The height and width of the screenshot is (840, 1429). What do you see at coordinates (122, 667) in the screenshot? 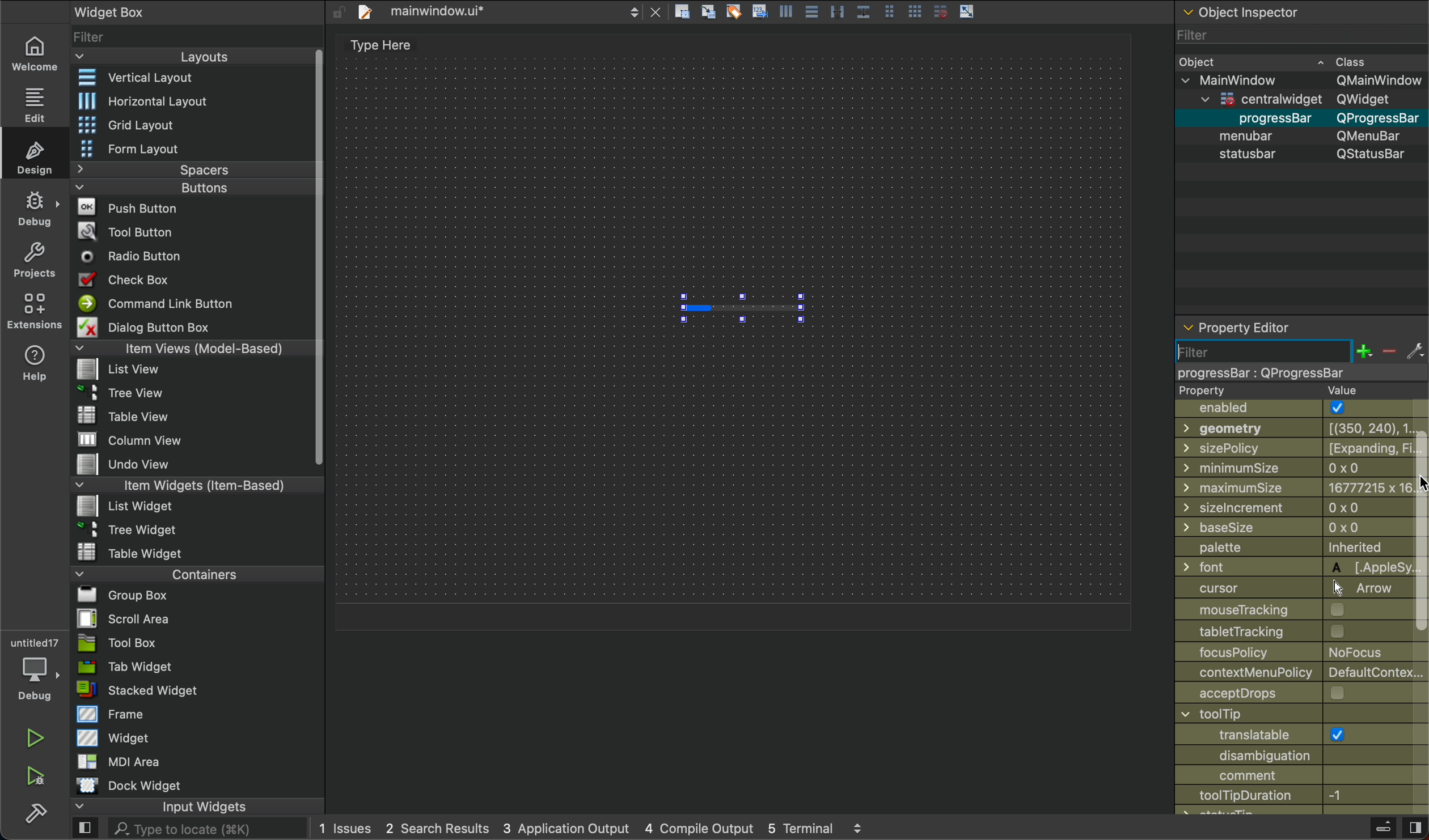
I see `Tab Widget` at bounding box center [122, 667].